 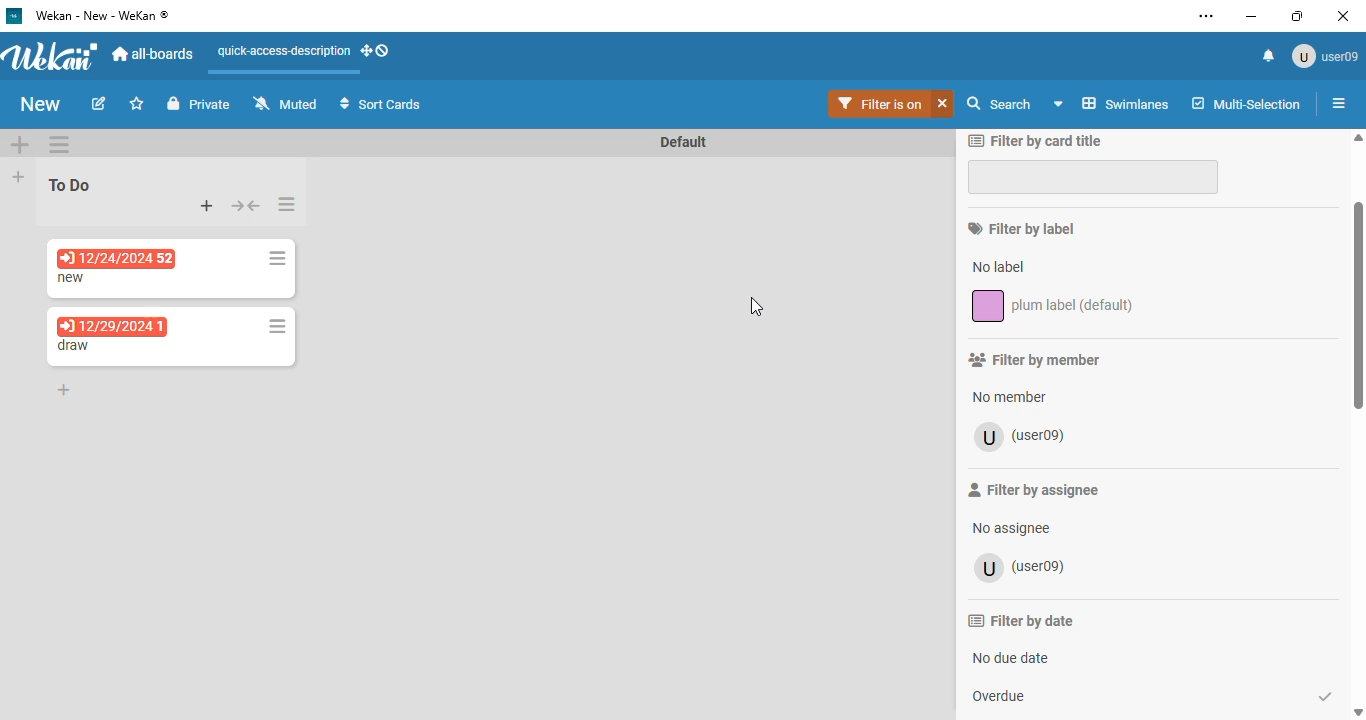 I want to click on filter by label, so click(x=1021, y=228).